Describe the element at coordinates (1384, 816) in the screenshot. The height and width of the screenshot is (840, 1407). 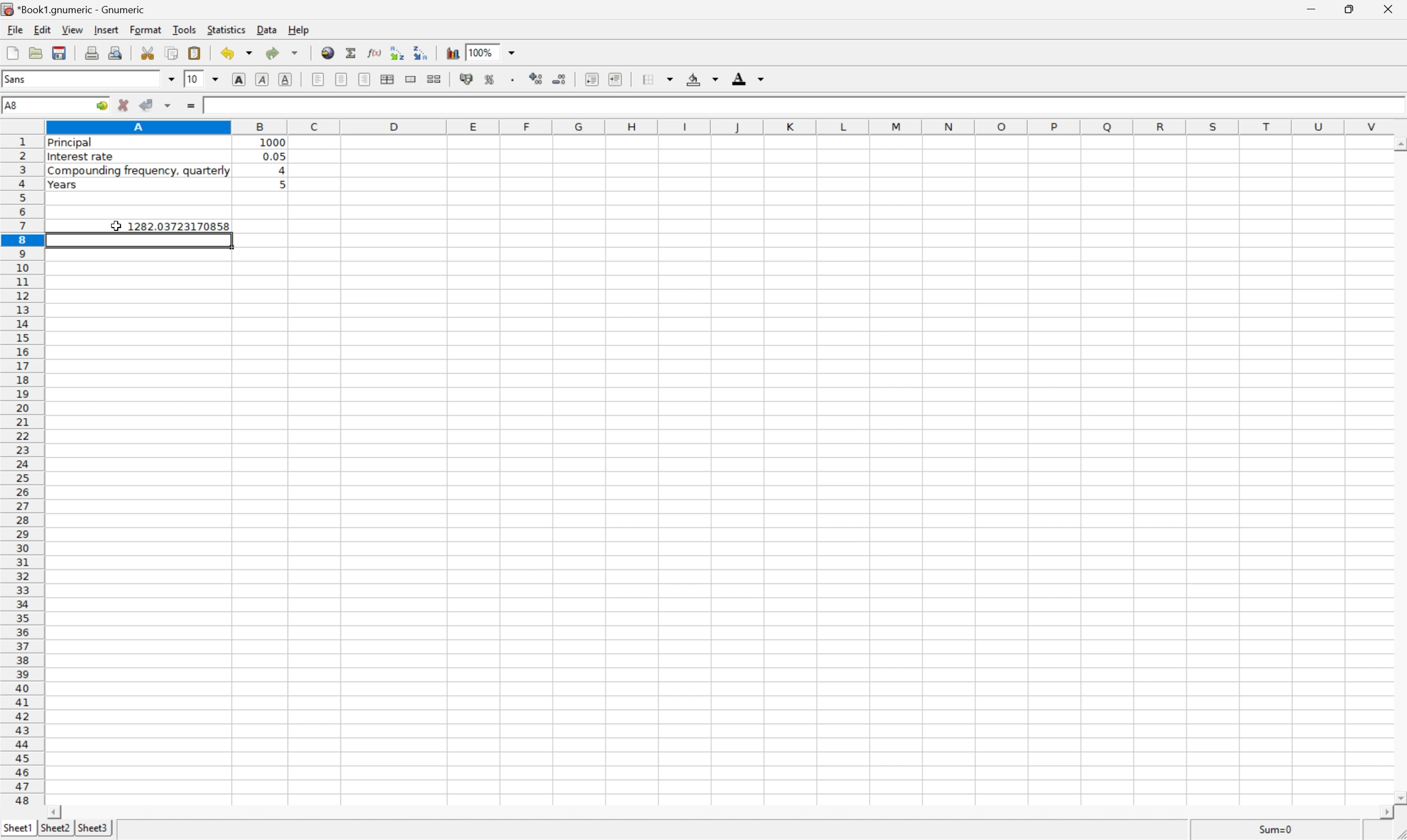
I see `scroll right` at that location.